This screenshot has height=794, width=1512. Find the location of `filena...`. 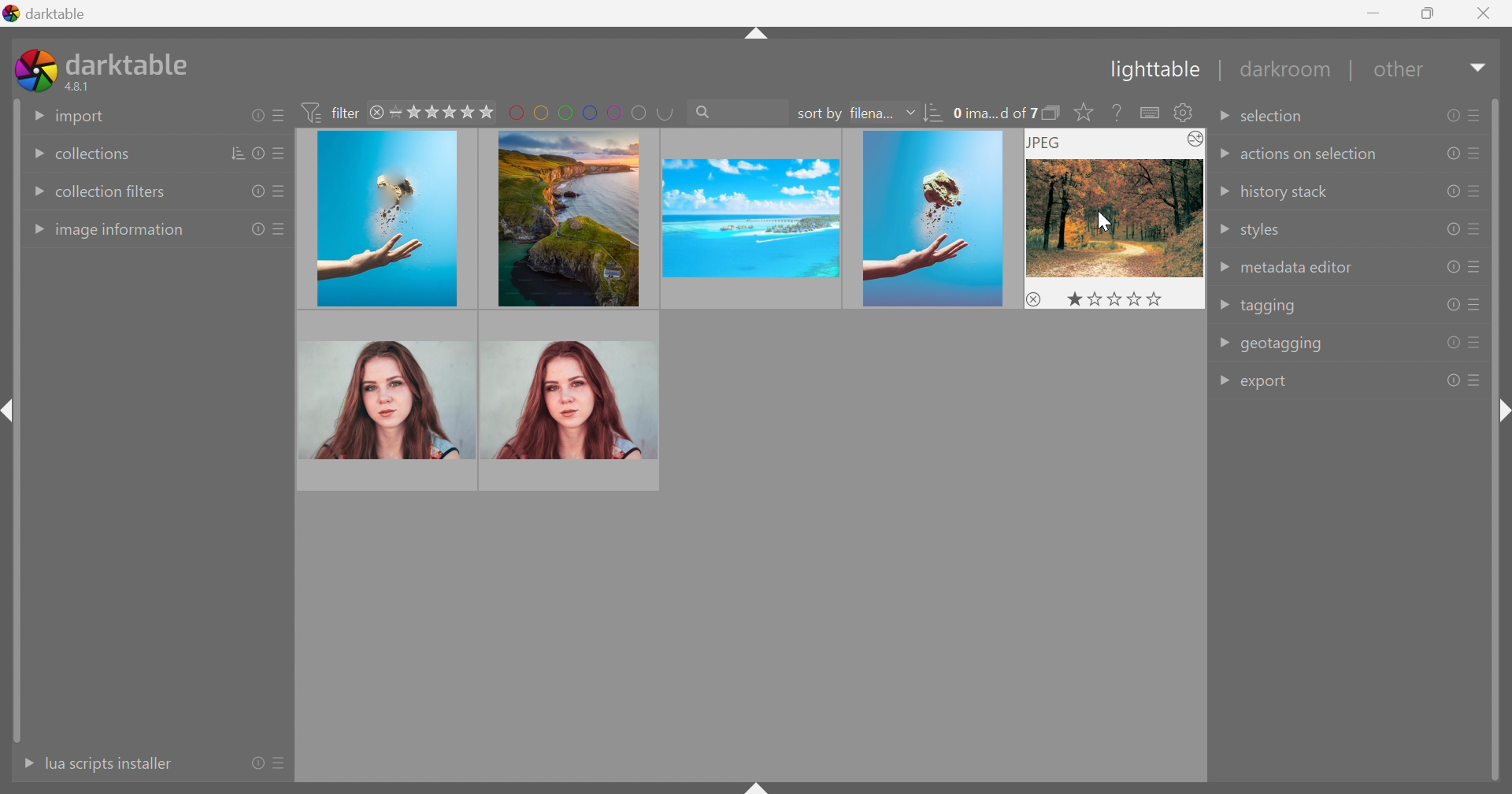

filena... is located at coordinates (870, 114).